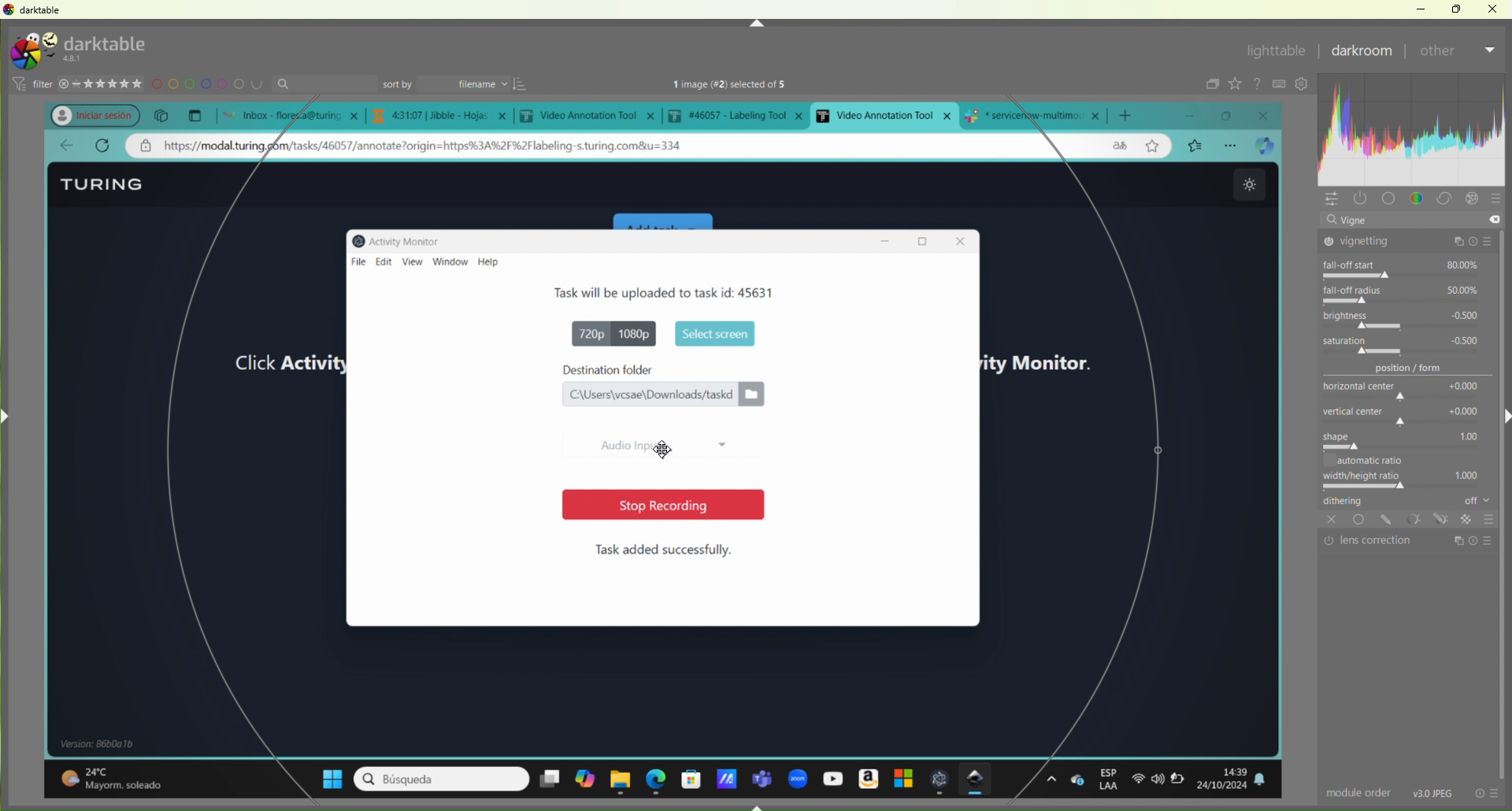  I want to click on language, so click(1117, 146).